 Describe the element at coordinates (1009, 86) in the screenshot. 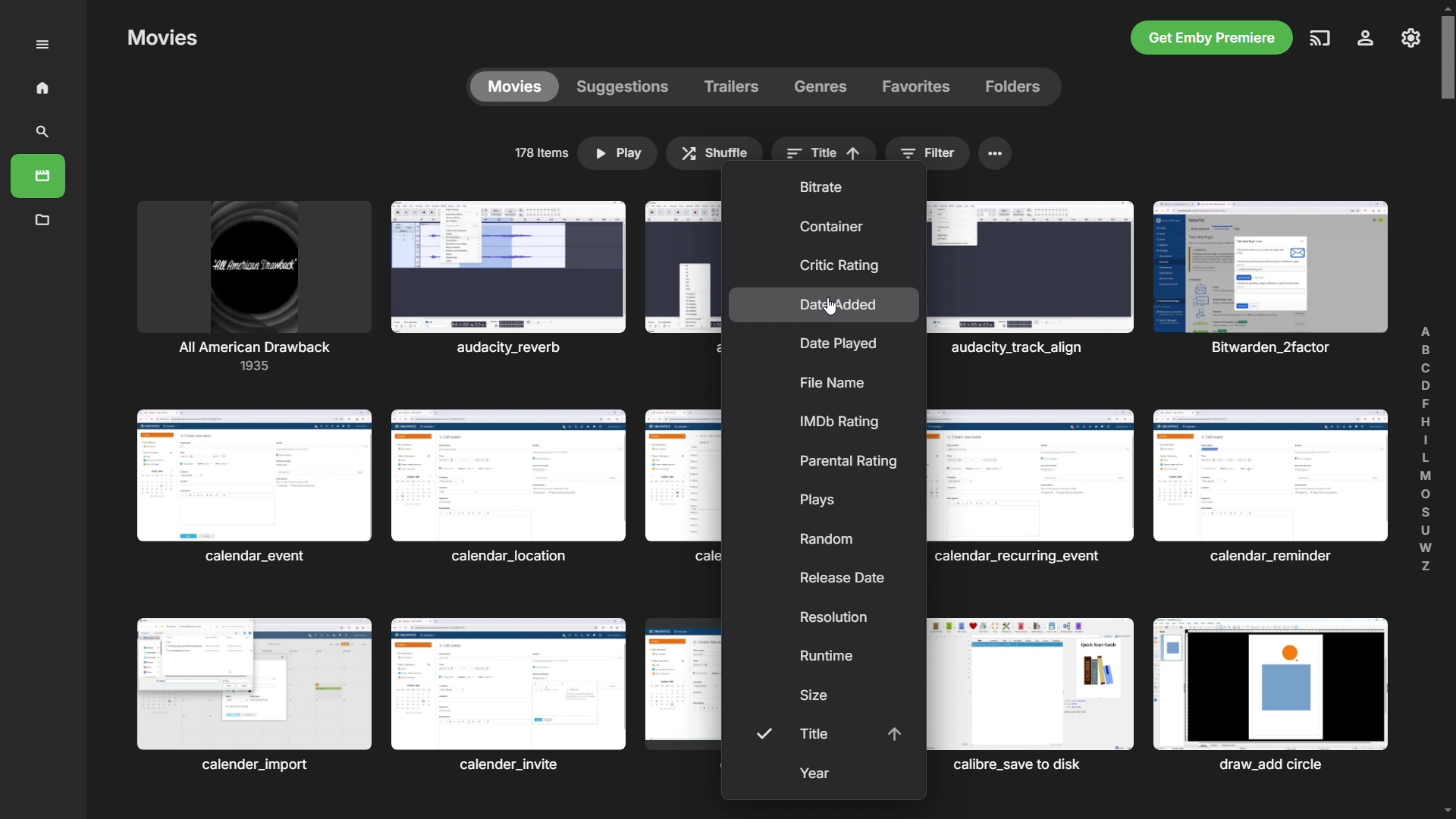

I see `folders` at that location.